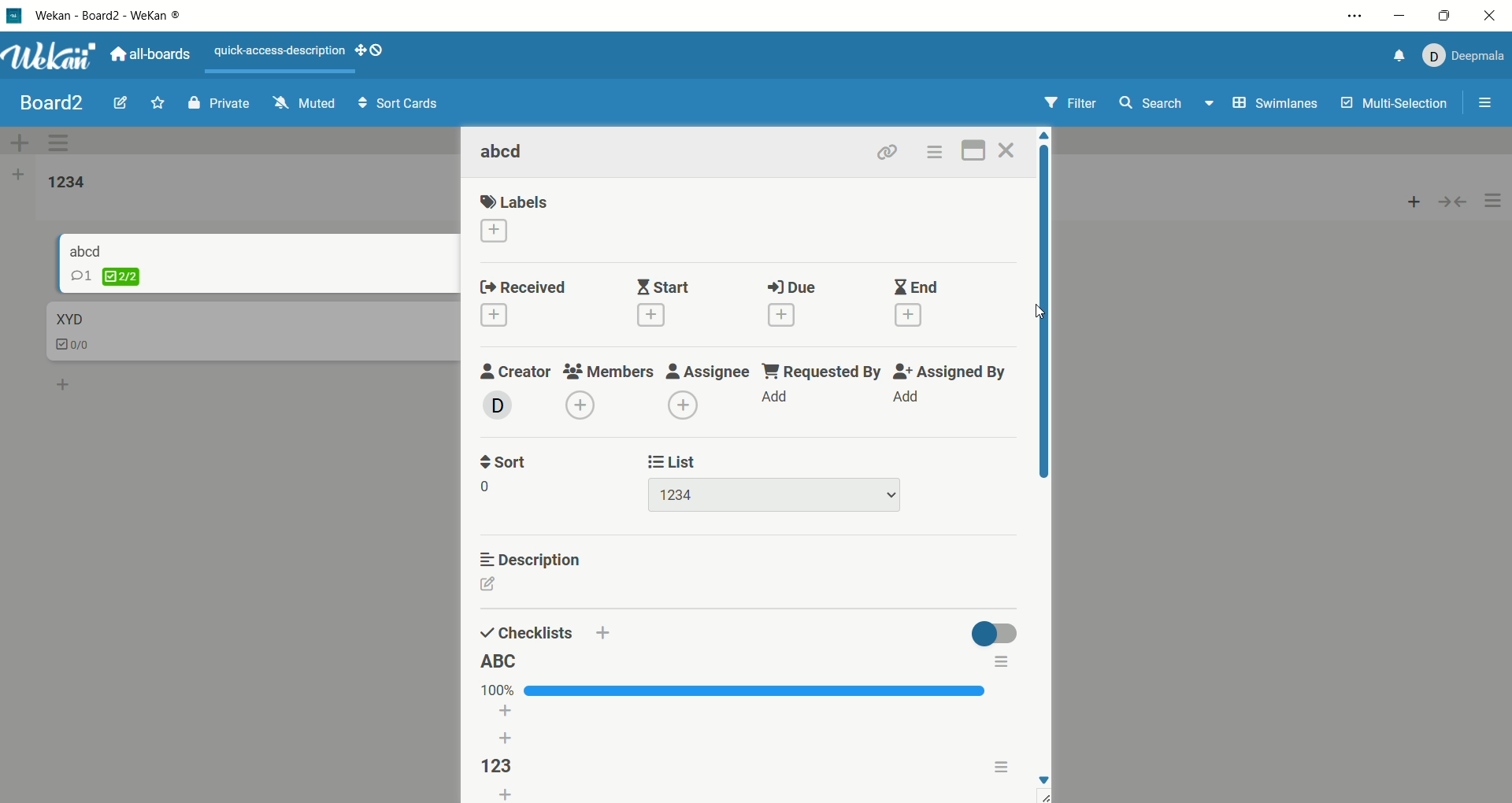 This screenshot has height=803, width=1512. I want to click on add, so click(65, 382).